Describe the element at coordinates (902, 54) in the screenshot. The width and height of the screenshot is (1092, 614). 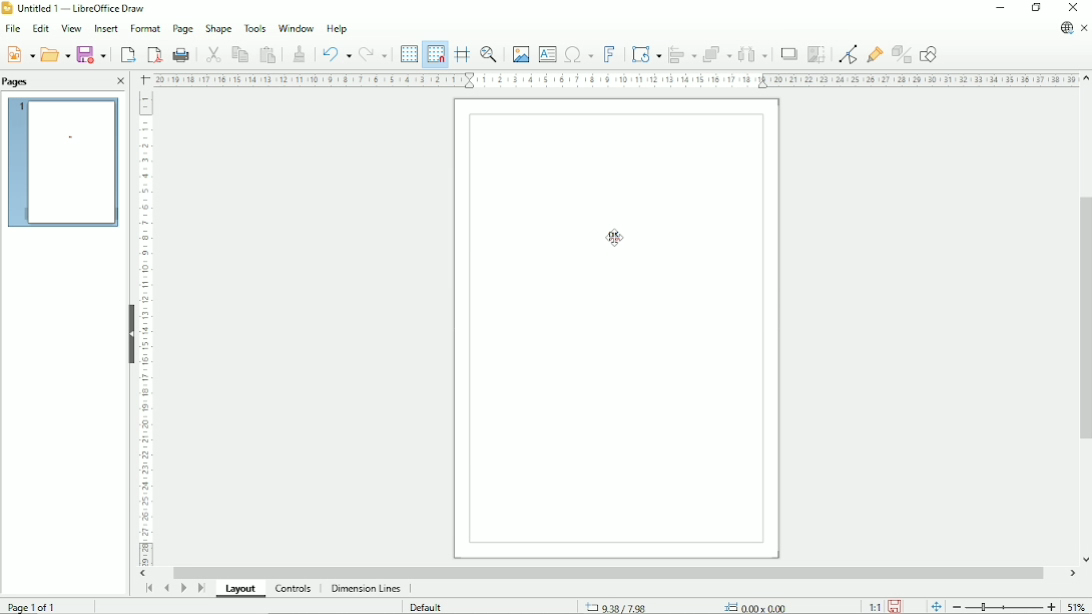
I see `Toggle extrusion` at that location.